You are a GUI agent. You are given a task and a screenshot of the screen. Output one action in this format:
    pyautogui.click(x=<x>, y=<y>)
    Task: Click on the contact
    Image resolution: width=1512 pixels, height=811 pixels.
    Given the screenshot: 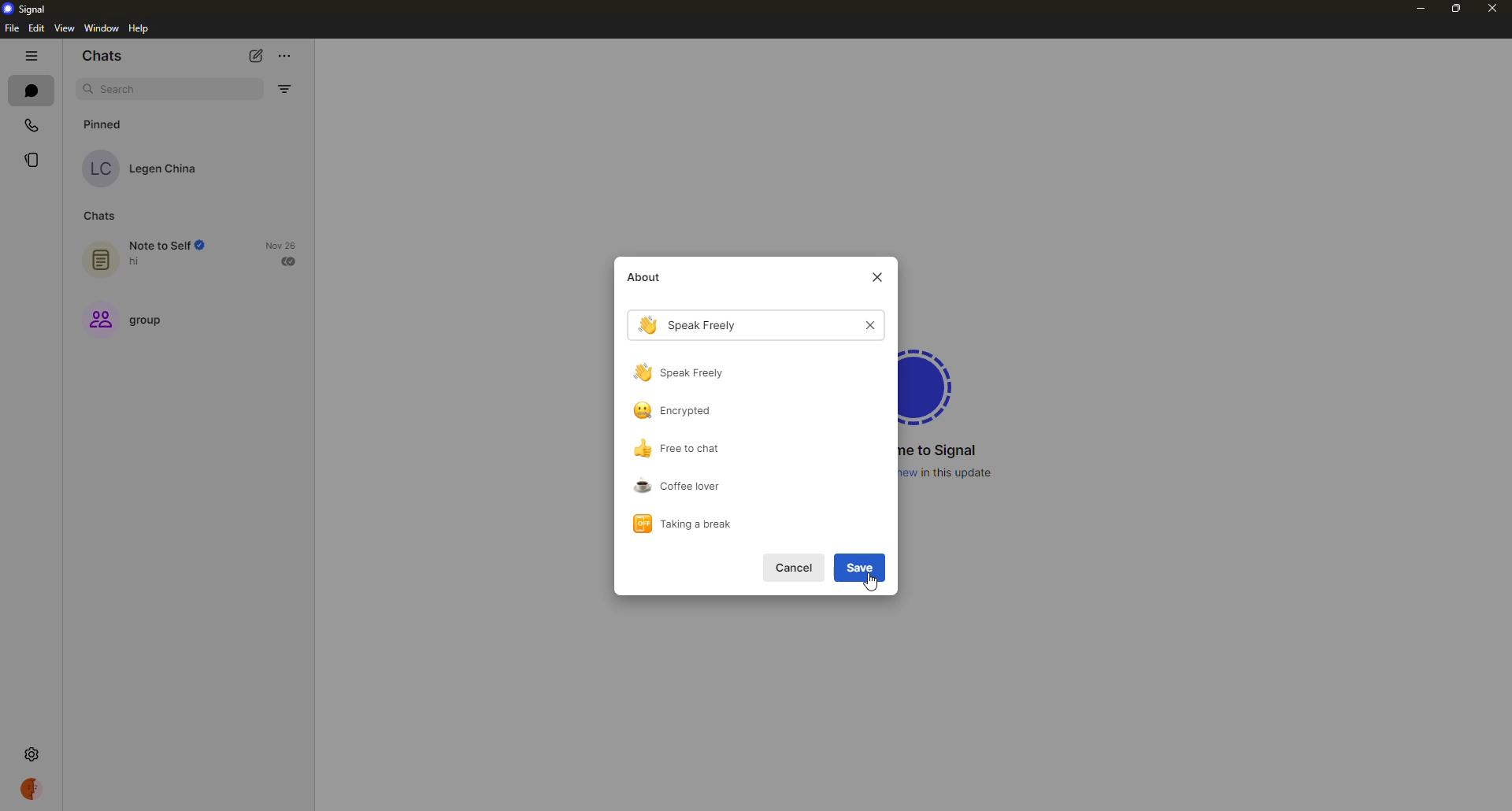 What is the action you would take?
    pyautogui.click(x=144, y=168)
    